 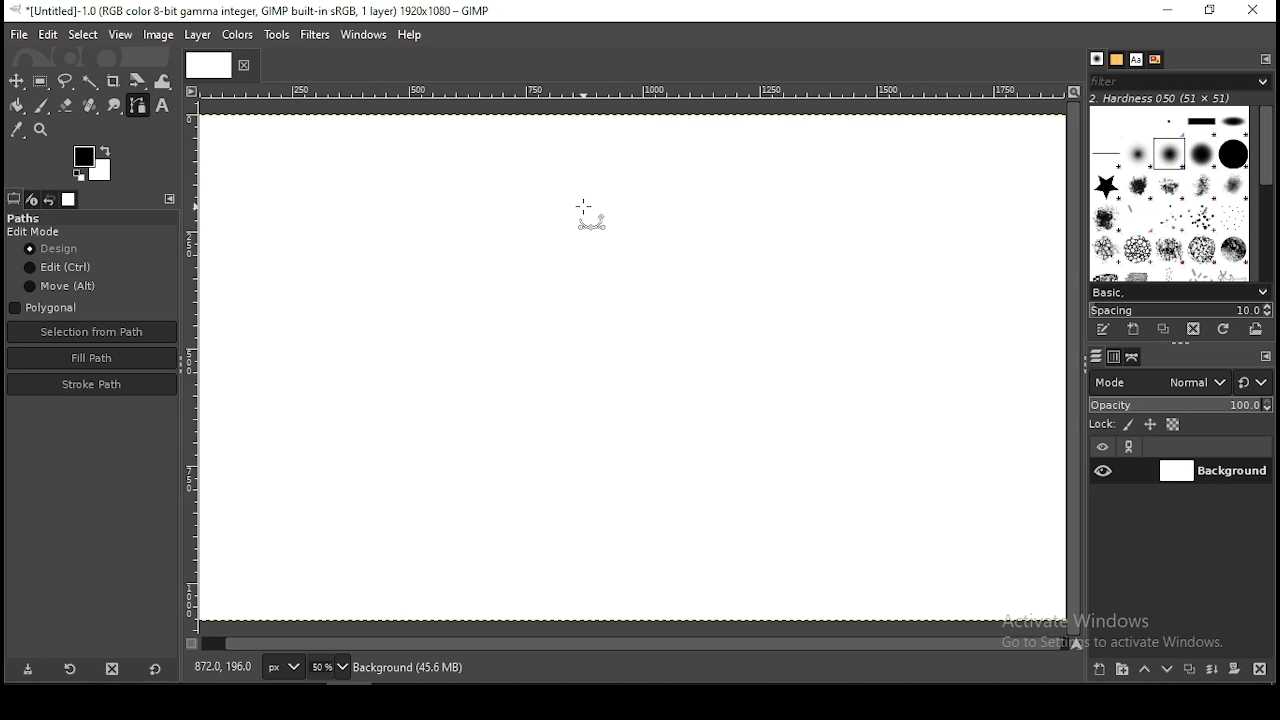 I want to click on polygon, so click(x=45, y=307).